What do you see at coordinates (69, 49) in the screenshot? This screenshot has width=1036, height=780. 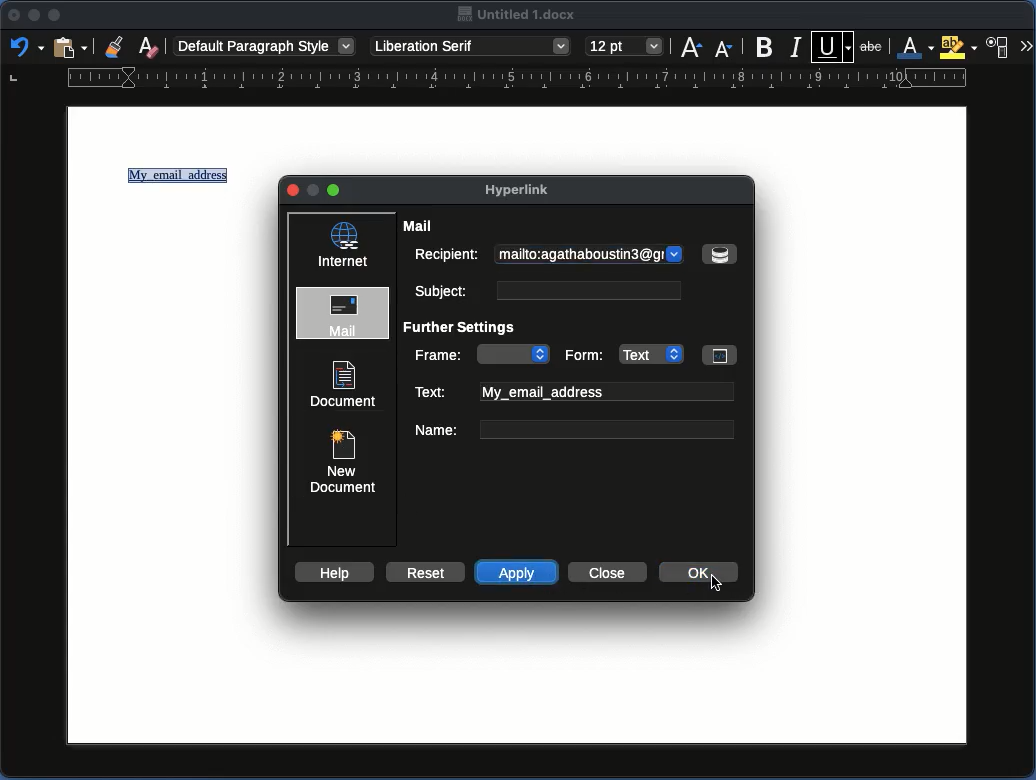 I see `Clipboard` at bounding box center [69, 49].